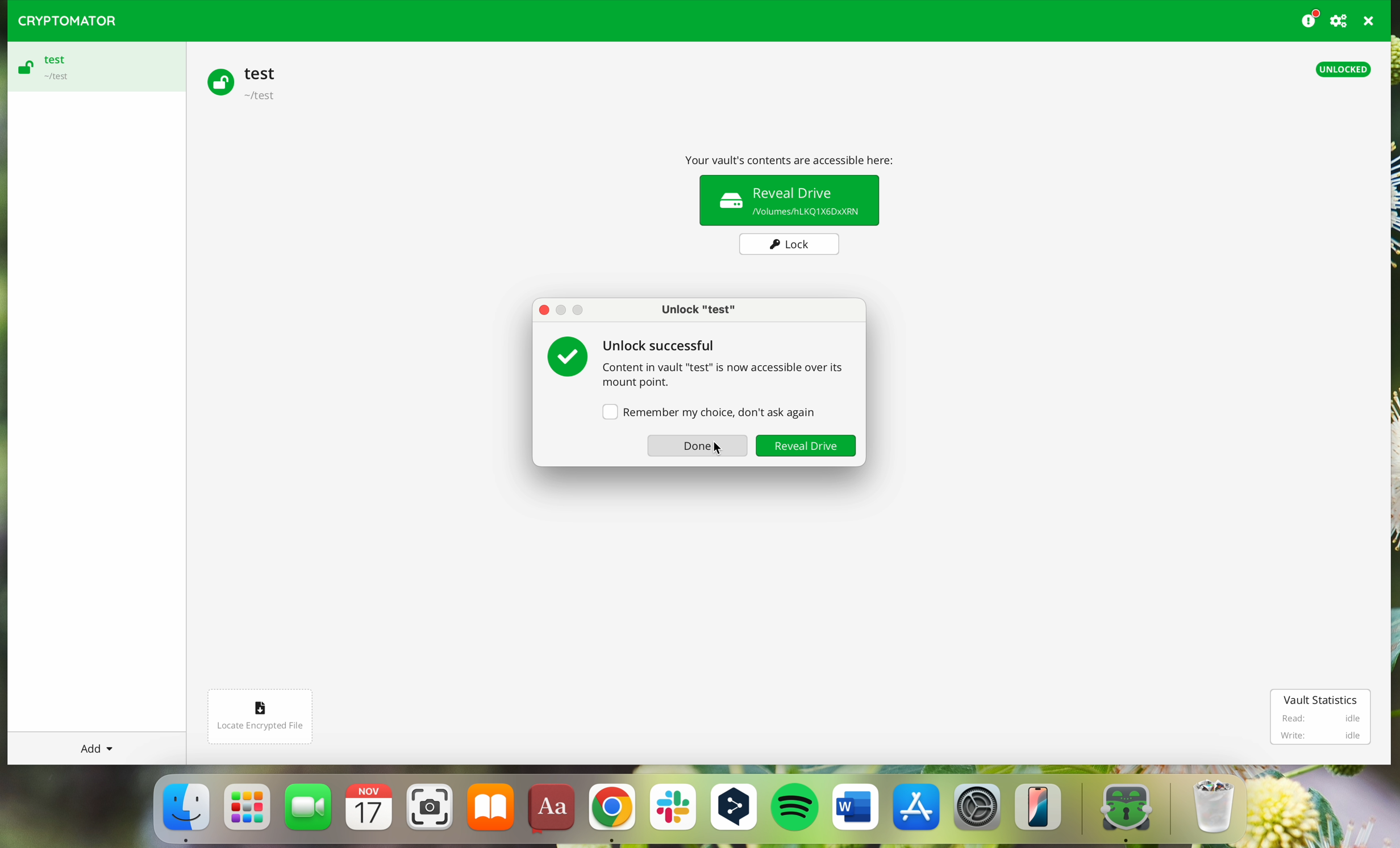 This screenshot has height=848, width=1400. Describe the element at coordinates (728, 376) in the screenshot. I see `password` at that location.